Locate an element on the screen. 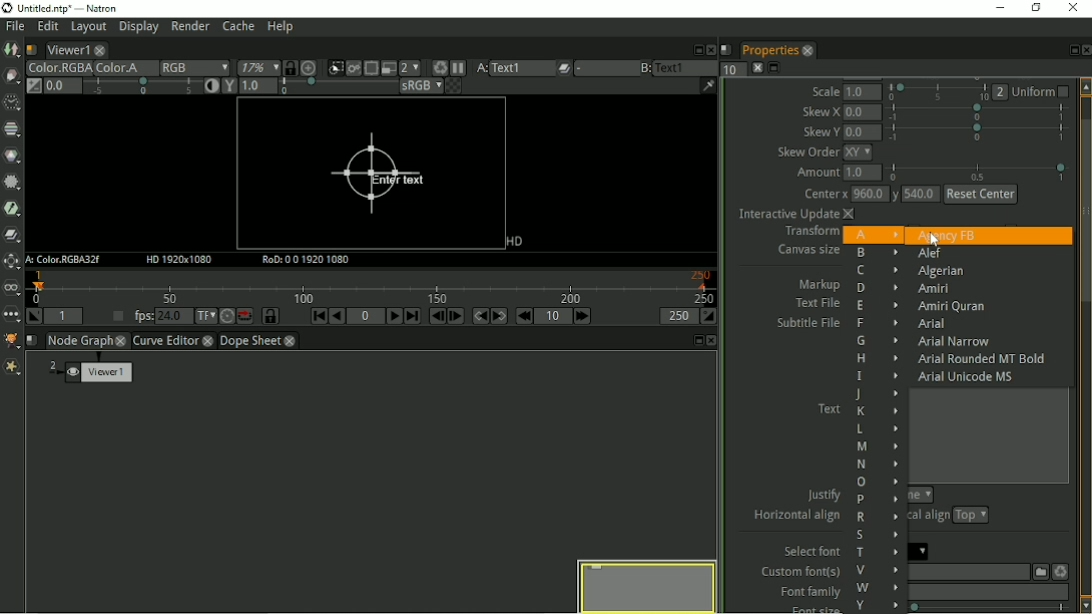 Image resolution: width=1092 pixels, height=614 pixels. Other is located at coordinates (11, 317).